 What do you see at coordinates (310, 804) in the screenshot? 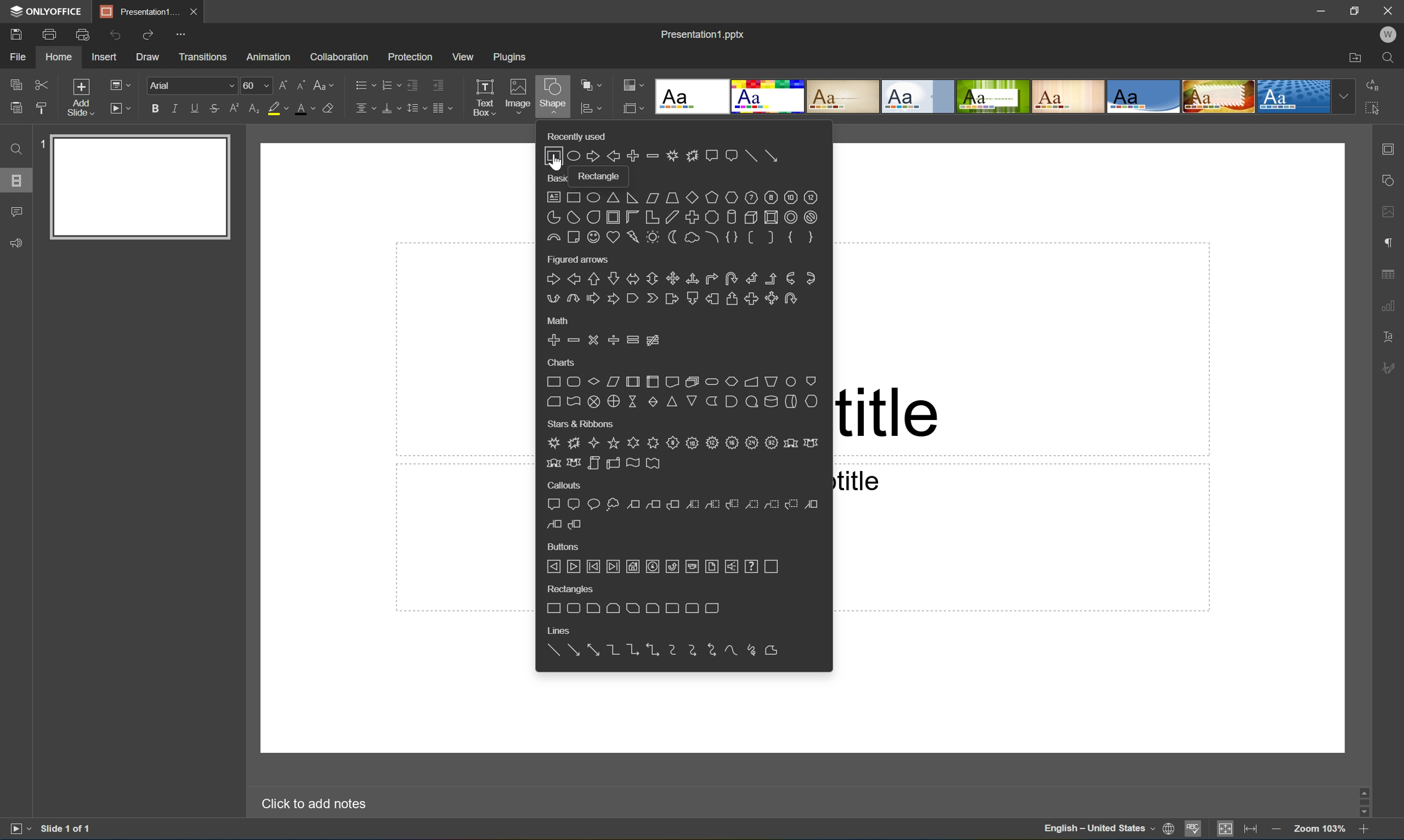
I see `Click to add notes` at bounding box center [310, 804].